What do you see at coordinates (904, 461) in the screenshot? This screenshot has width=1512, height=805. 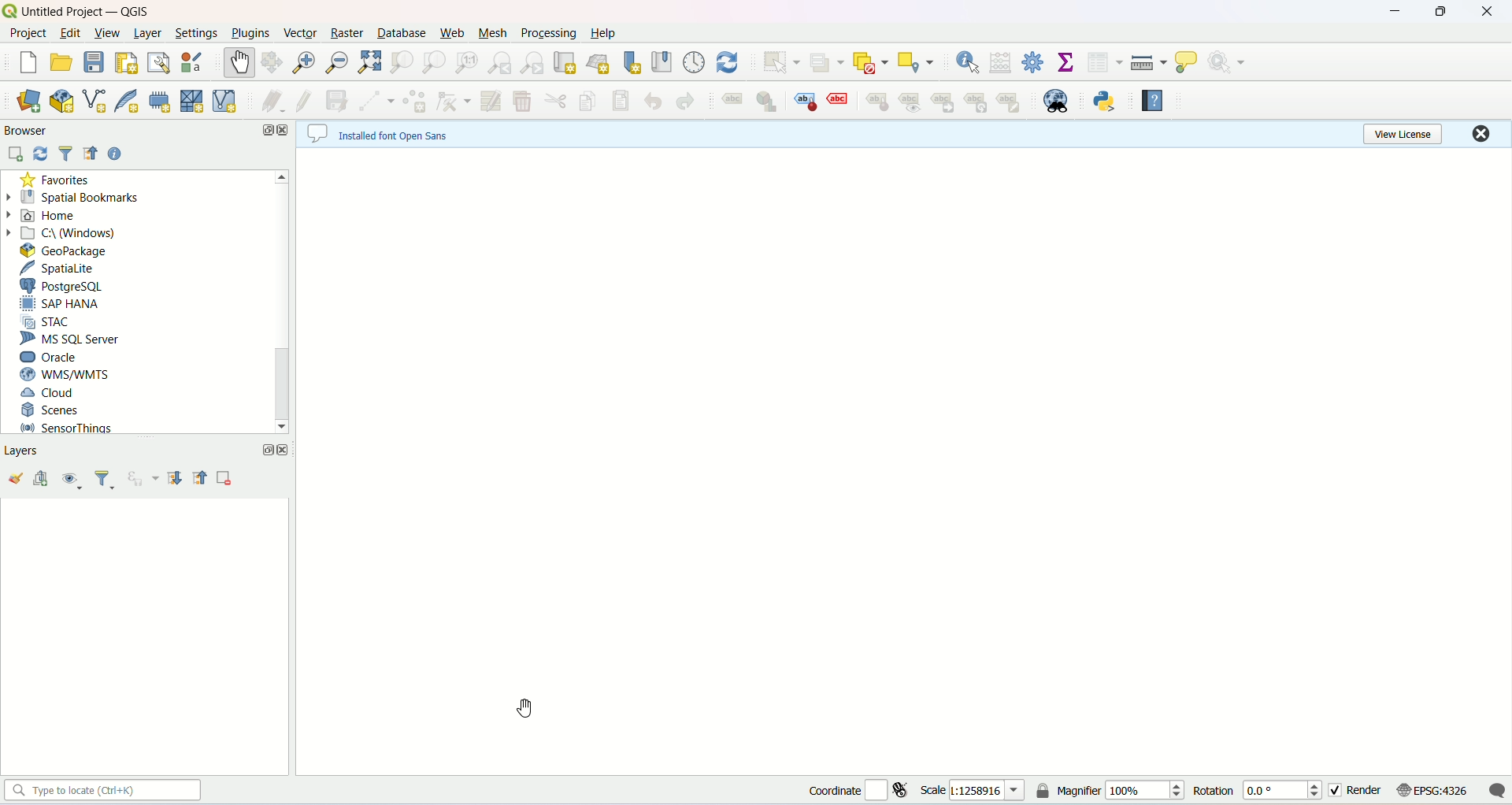 I see `empty project` at bounding box center [904, 461].